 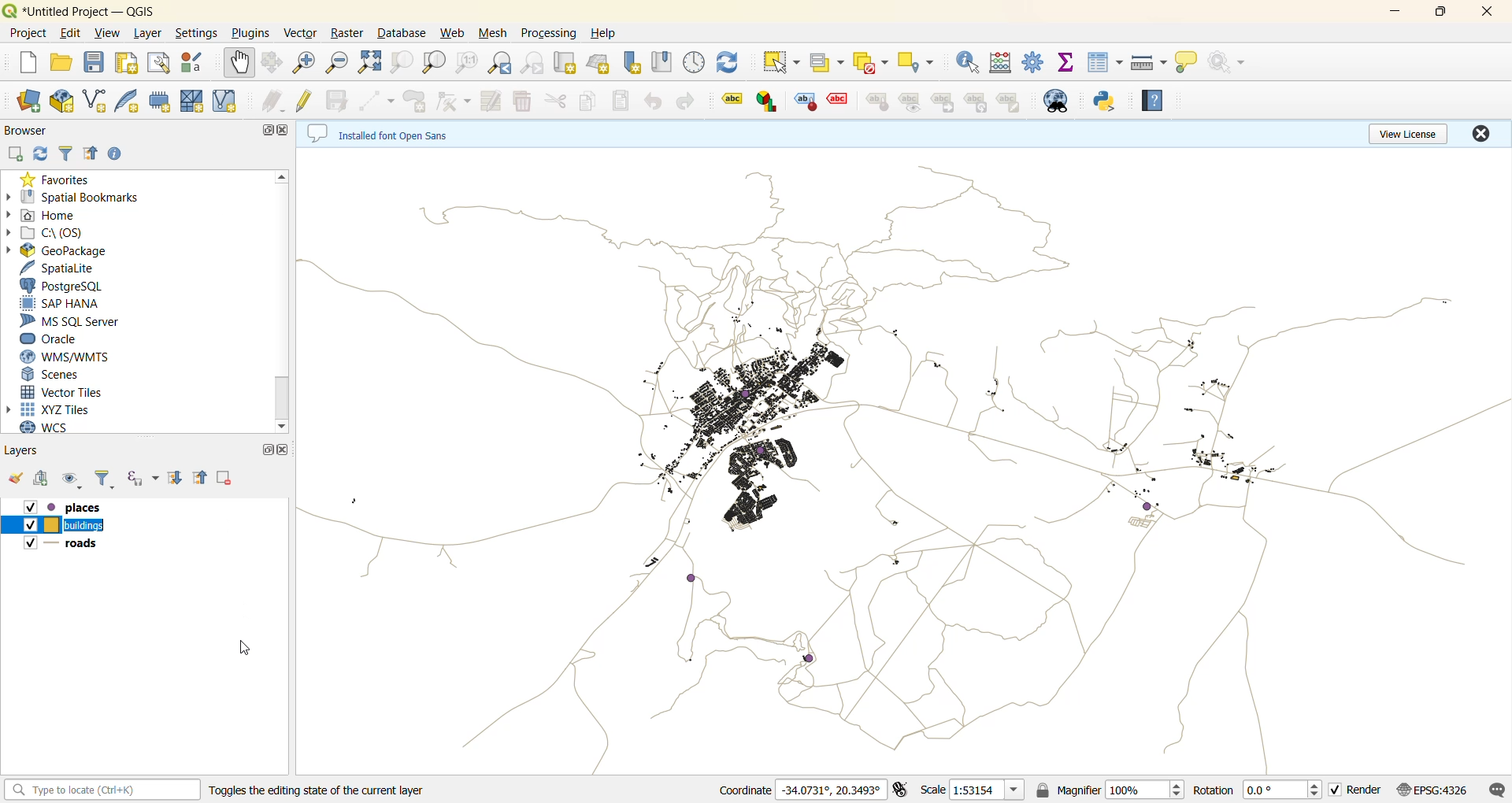 What do you see at coordinates (57, 409) in the screenshot?
I see `xyz tiles` at bounding box center [57, 409].